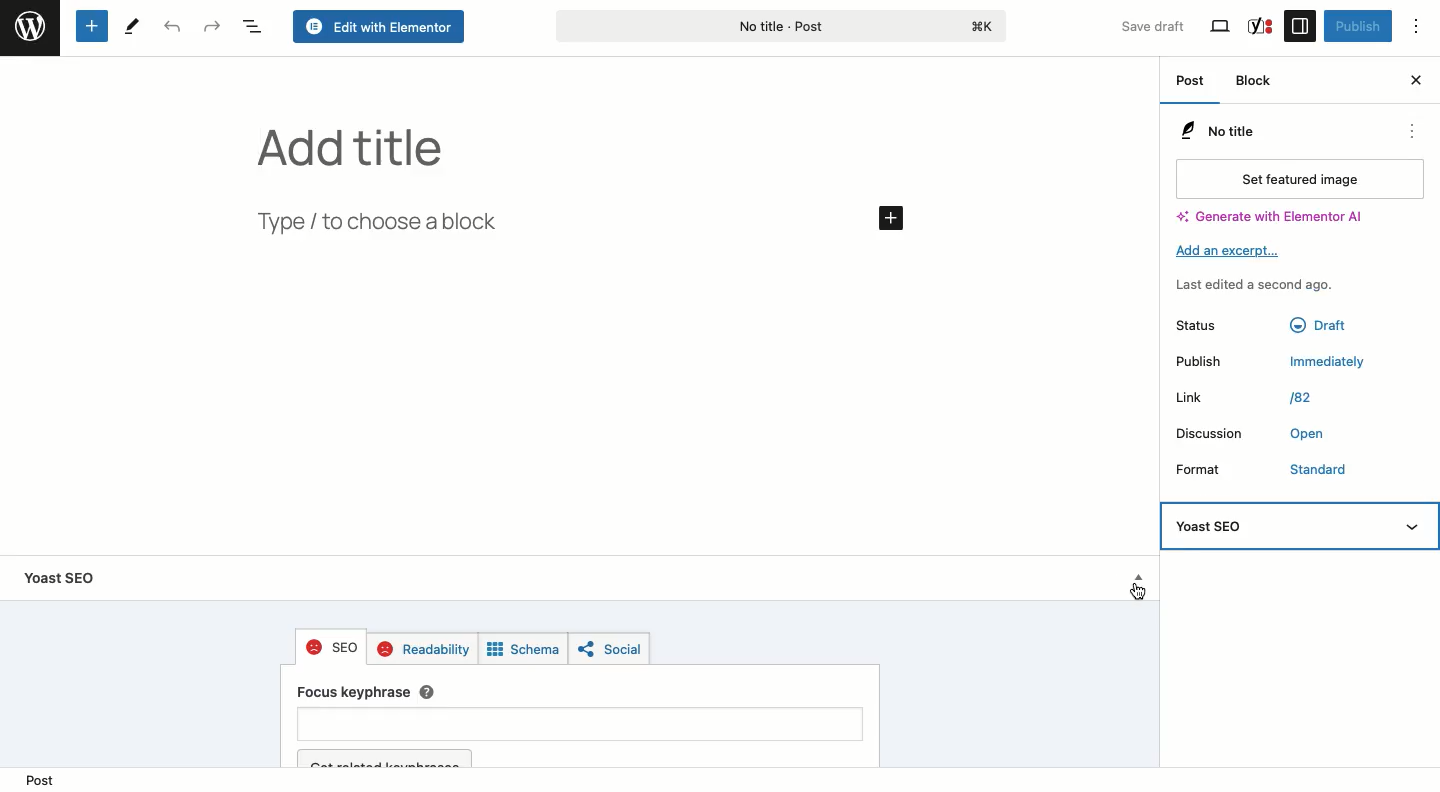 Image resolution: width=1440 pixels, height=792 pixels. Describe the element at coordinates (213, 26) in the screenshot. I see `Redo` at that location.